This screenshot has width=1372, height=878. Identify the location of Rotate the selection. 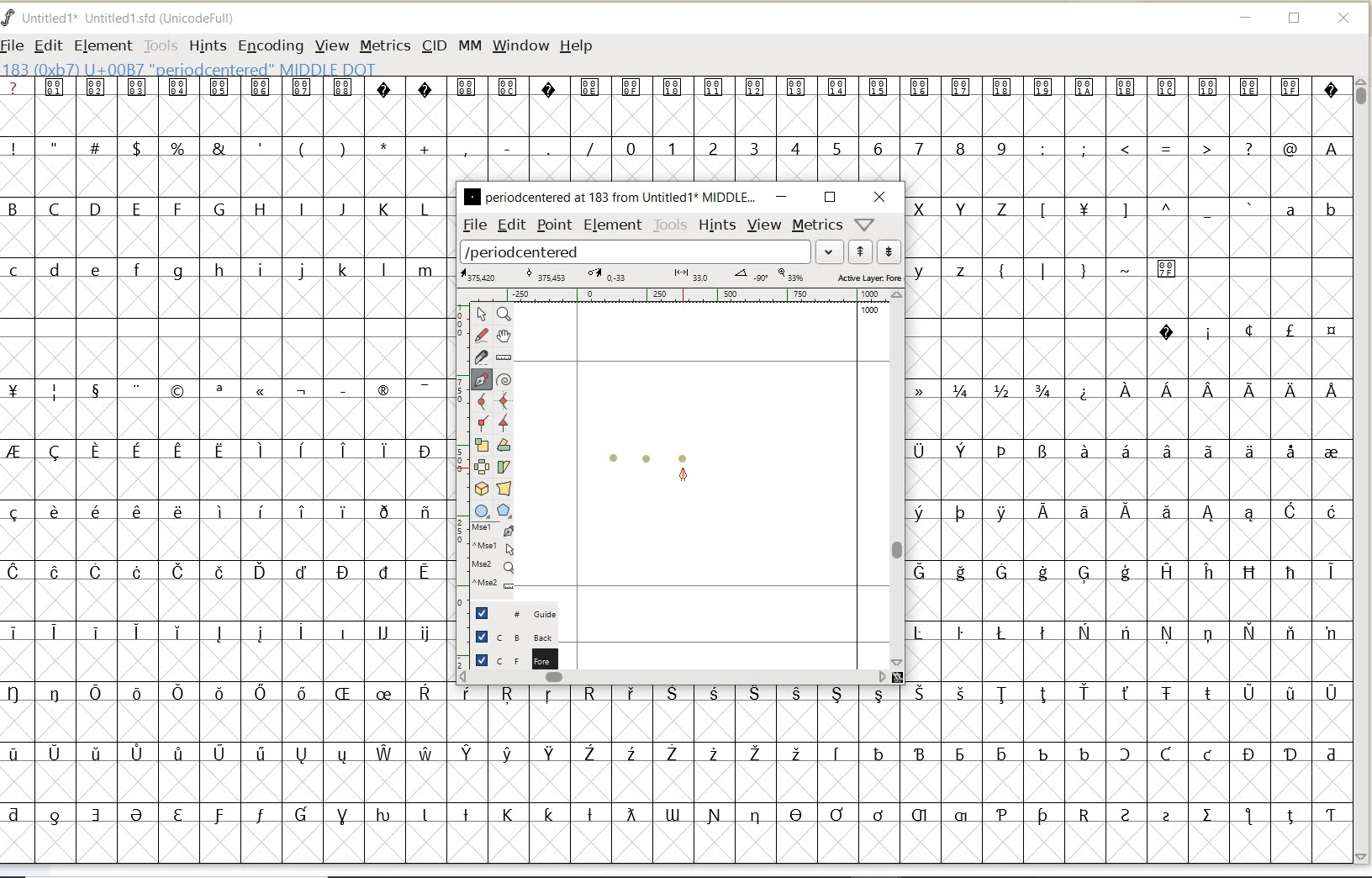
(504, 445).